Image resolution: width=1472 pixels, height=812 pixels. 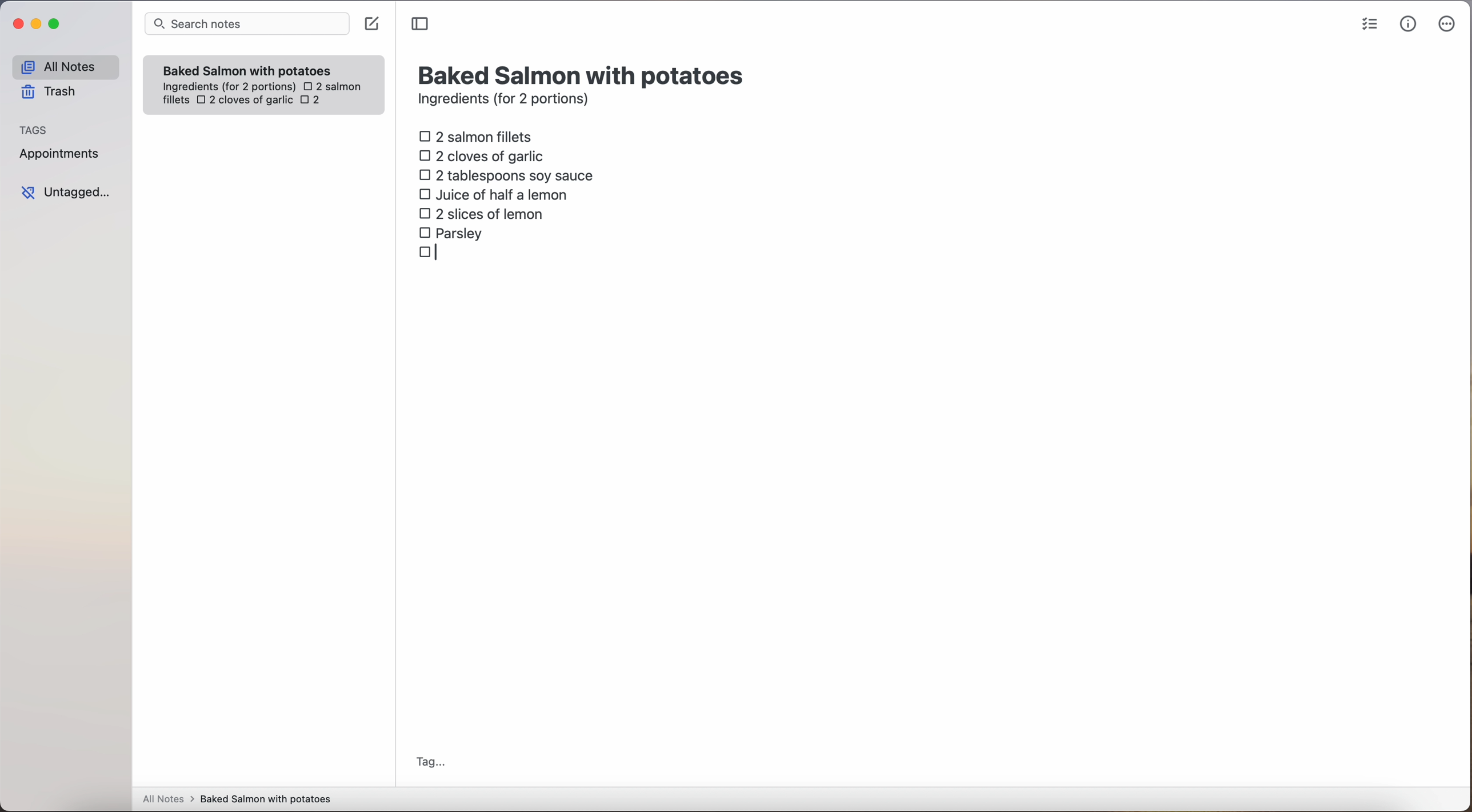 I want to click on close Simplenote, so click(x=17, y=25).